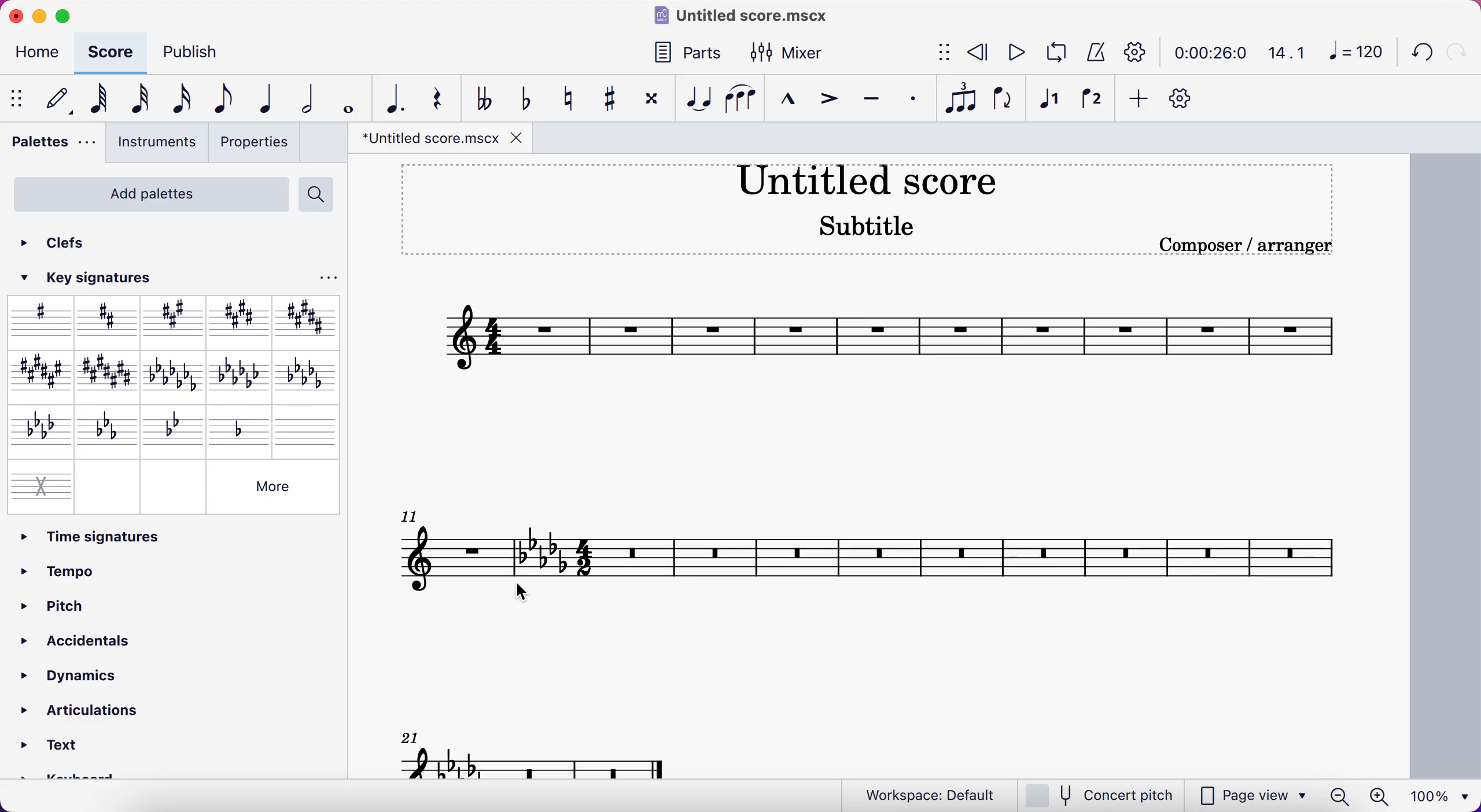  Describe the element at coordinates (529, 595) in the screenshot. I see `cursor` at that location.